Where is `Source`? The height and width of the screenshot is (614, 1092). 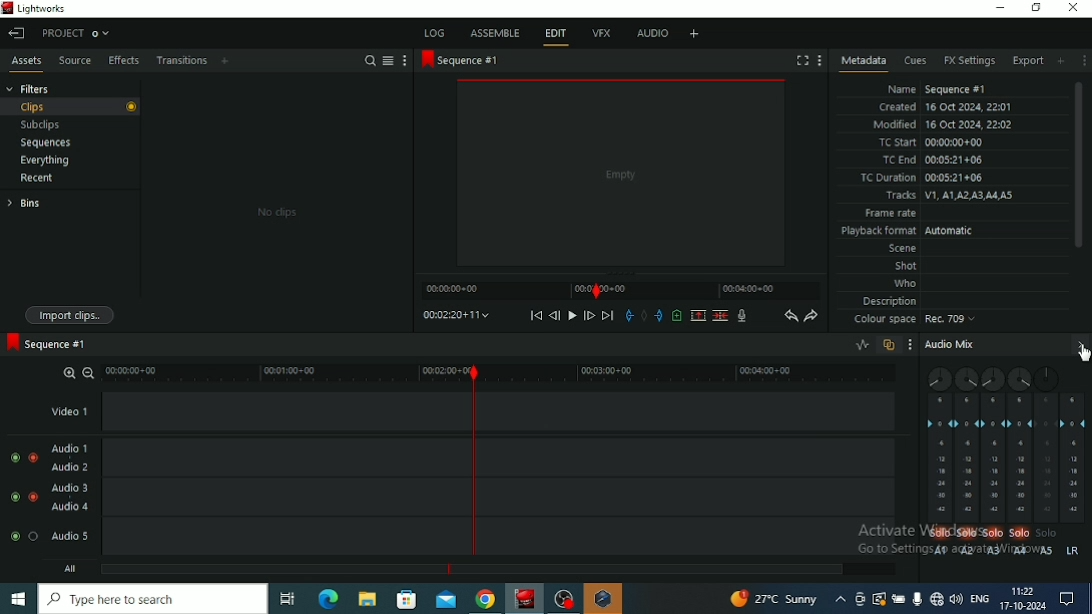
Source is located at coordinates (73, 61).